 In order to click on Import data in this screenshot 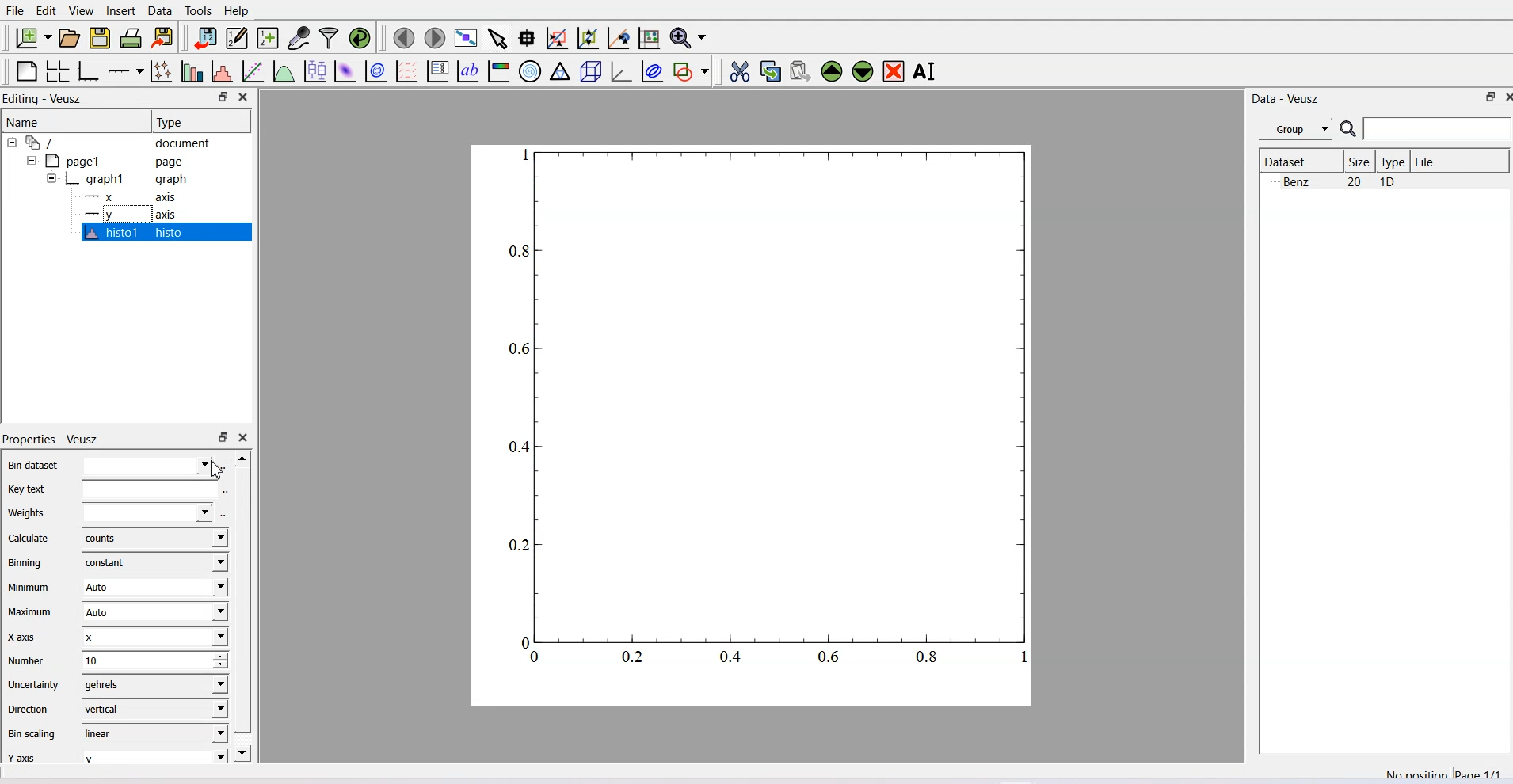, I will do `click(205, 37)`.